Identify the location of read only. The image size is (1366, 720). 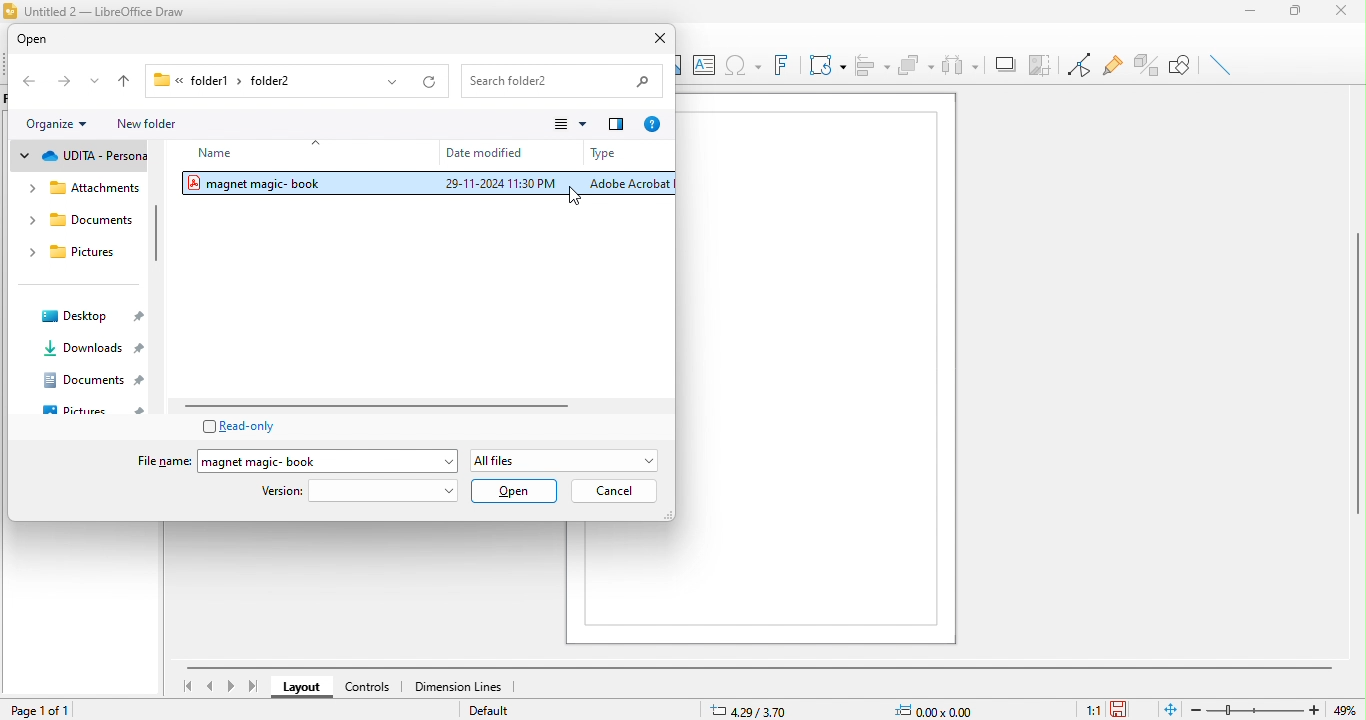
(246, 425).